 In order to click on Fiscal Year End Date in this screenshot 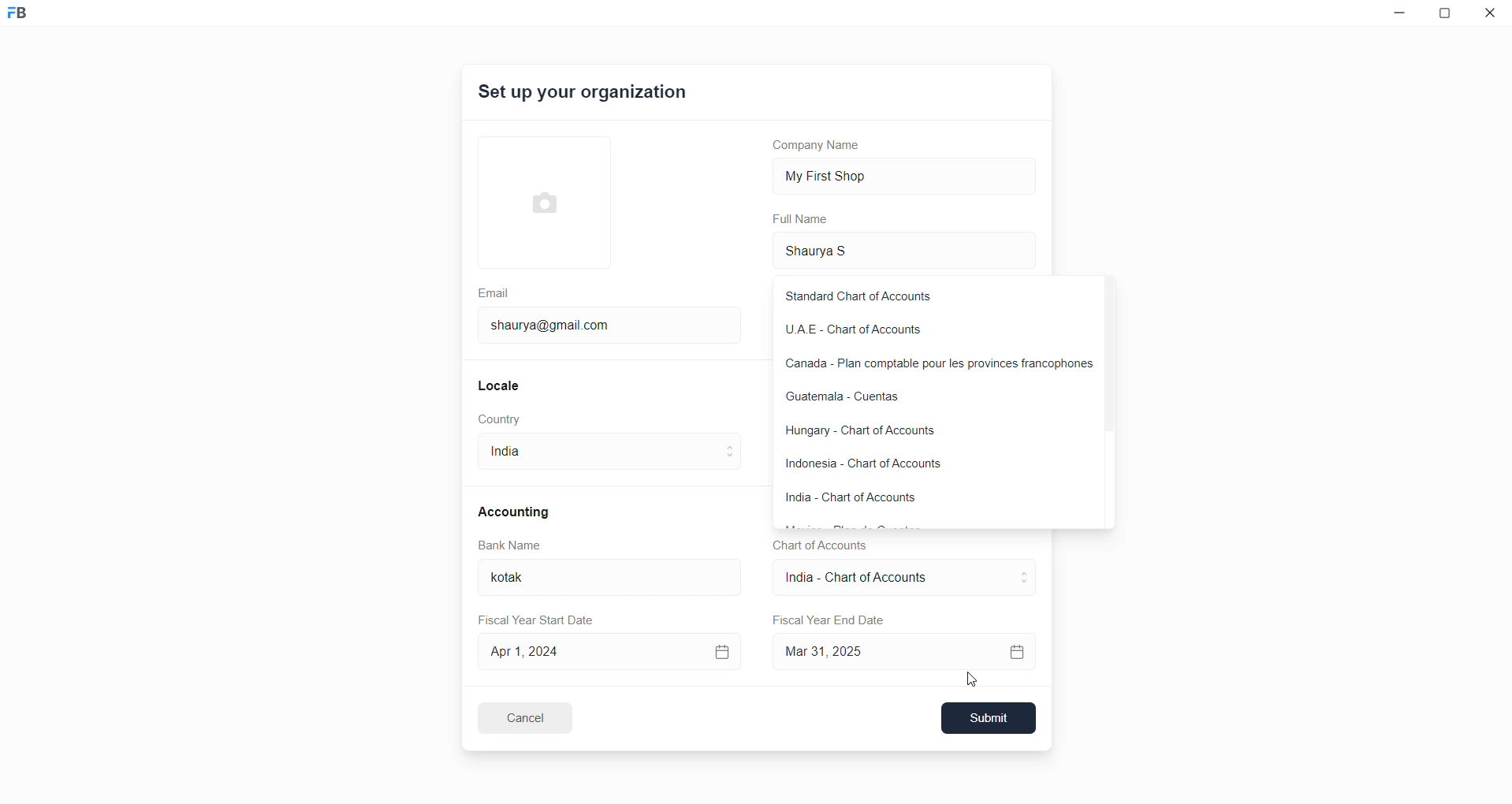, I will do `click(830, 620)`.